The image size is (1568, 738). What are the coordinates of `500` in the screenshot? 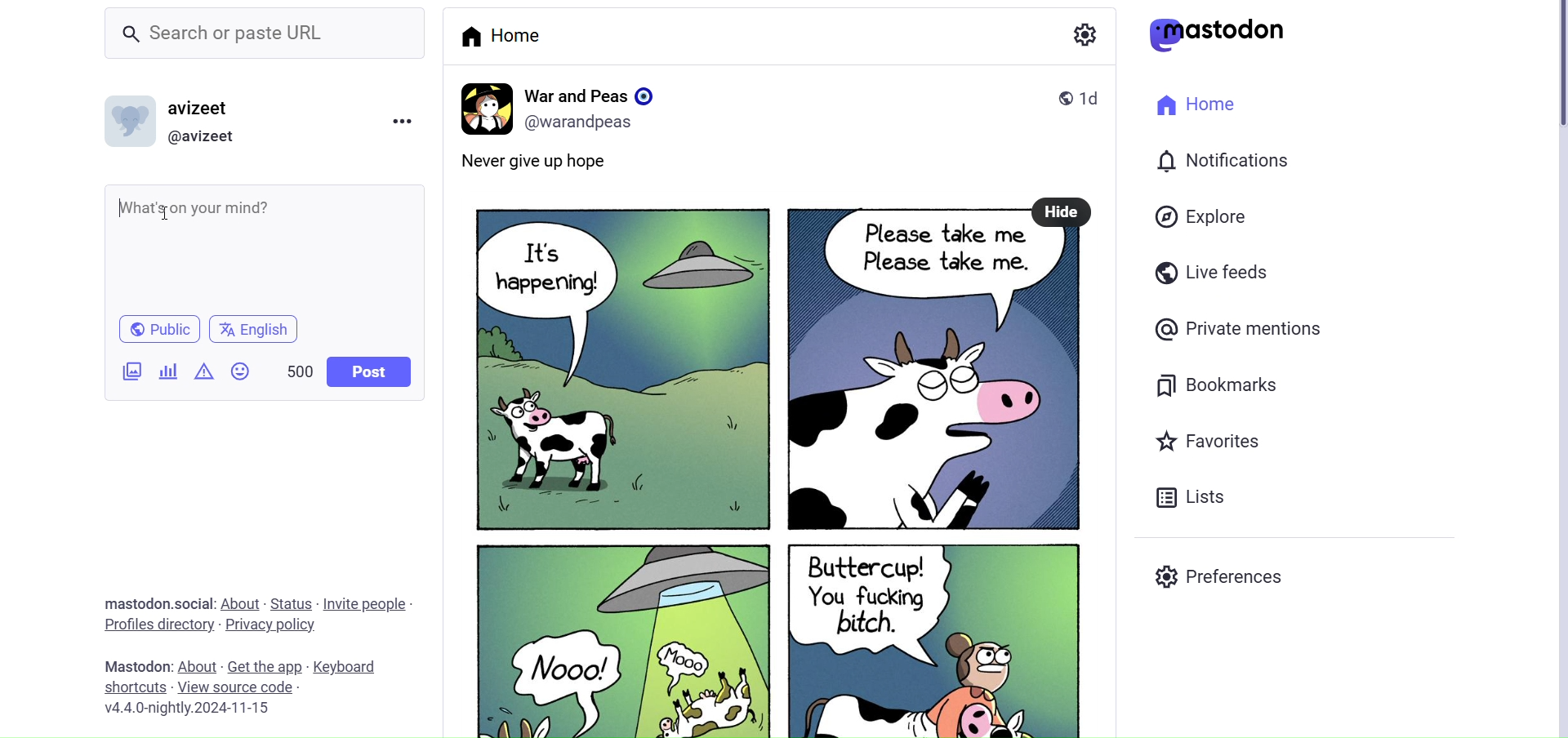 It's located at (292, 367).